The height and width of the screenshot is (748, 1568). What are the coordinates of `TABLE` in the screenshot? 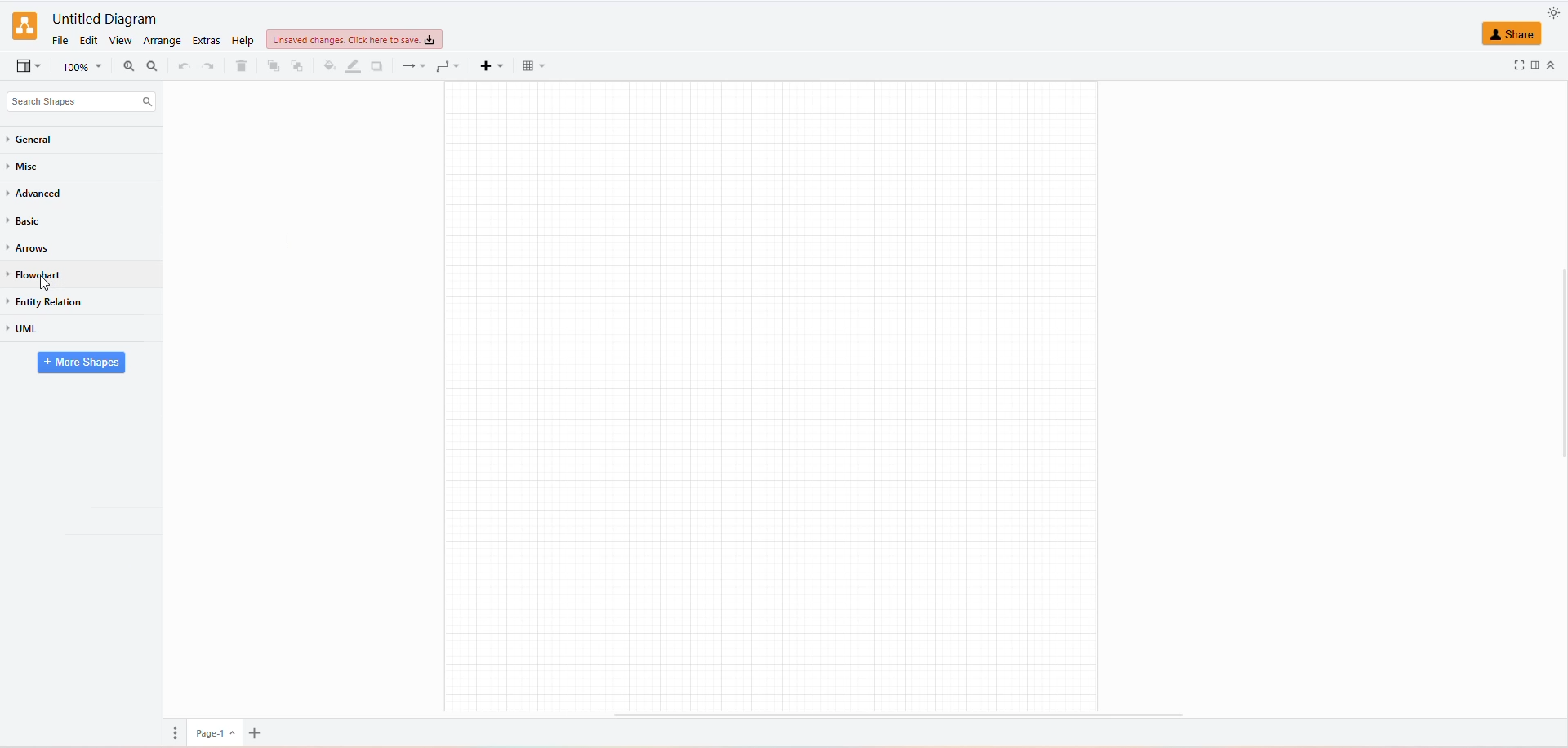 It's located at (529, 65).